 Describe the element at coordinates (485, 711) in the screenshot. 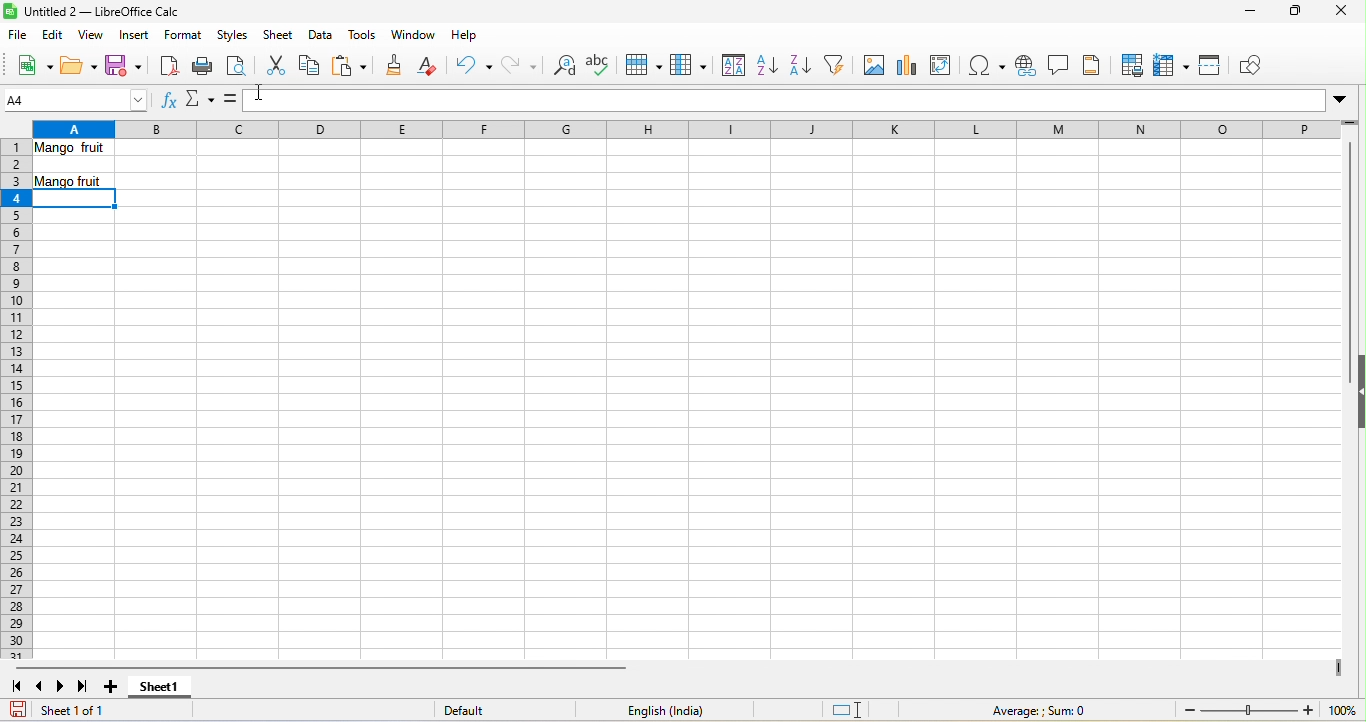

I see `default` at that location.